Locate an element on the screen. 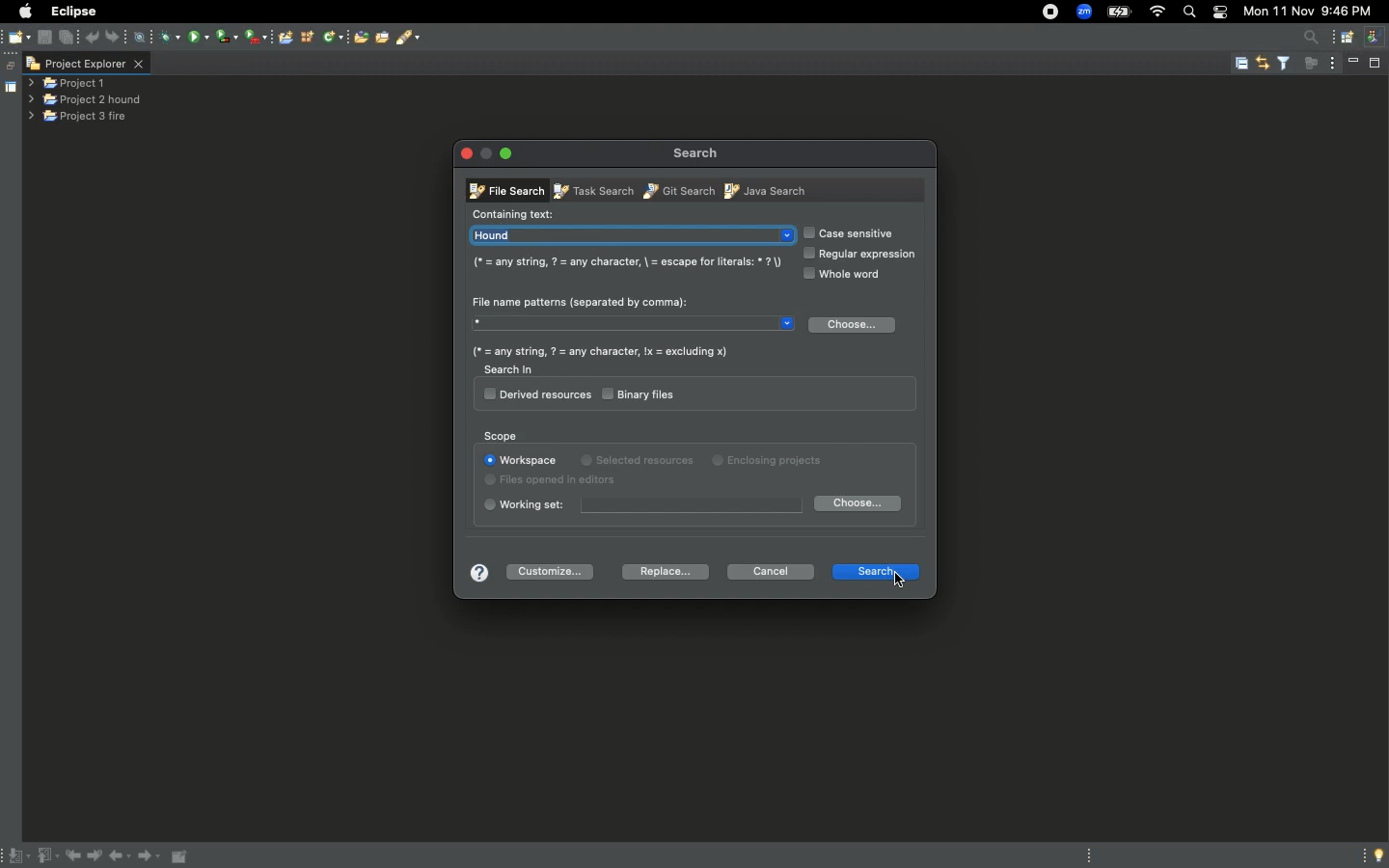  save is located at coordinates (45, 38).